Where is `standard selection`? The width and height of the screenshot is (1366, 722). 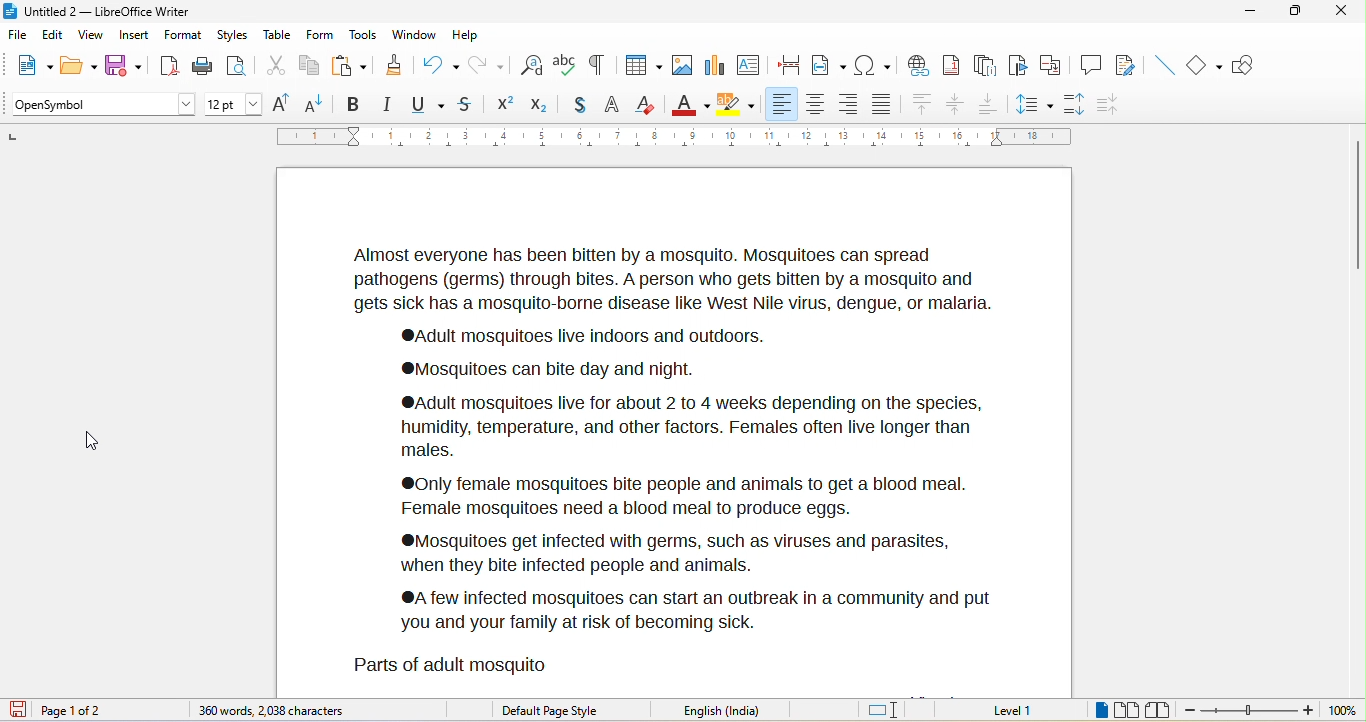
standard selection is located at coordinates (890, 710).